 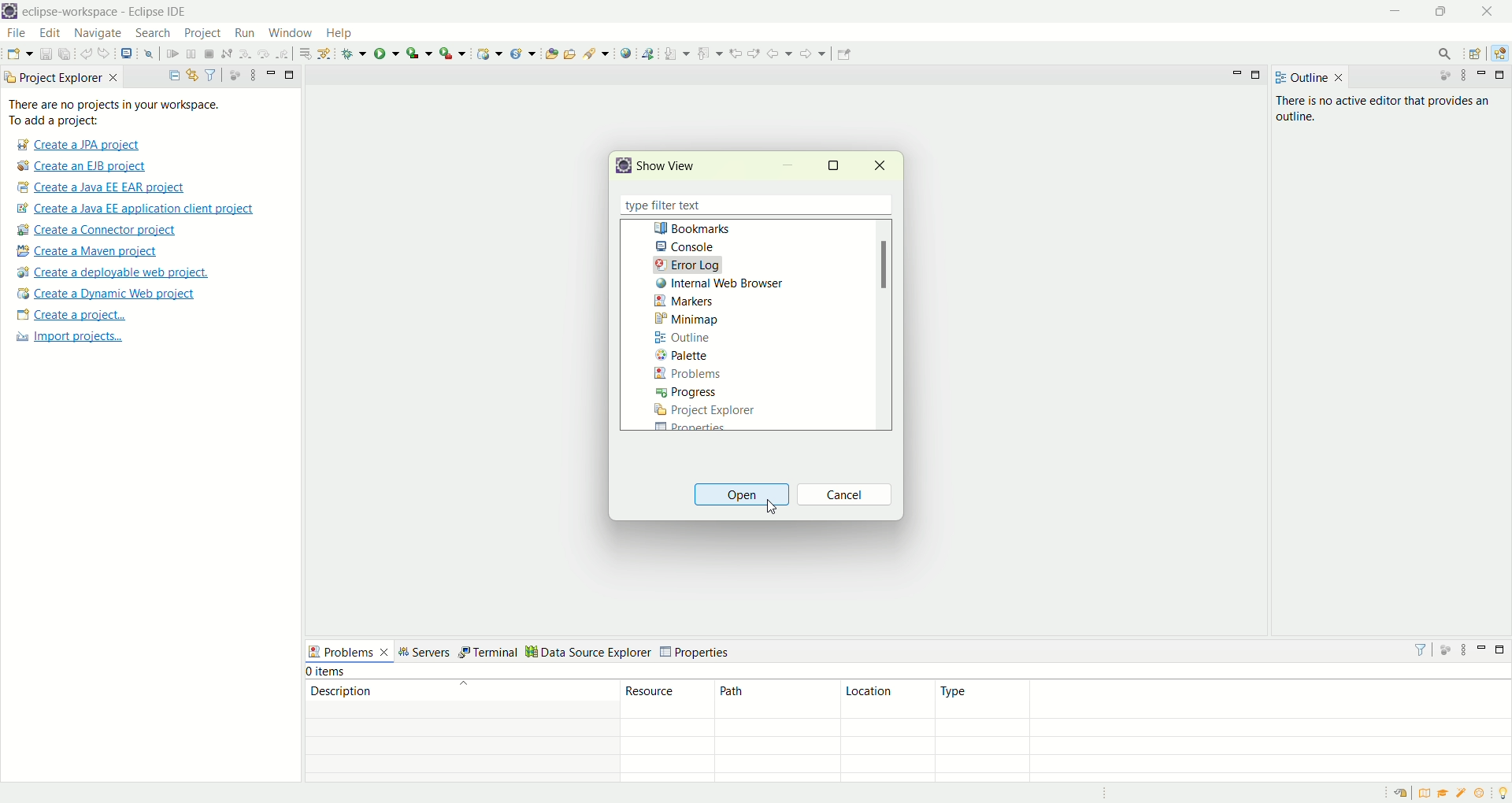 I want to click on create a Java EE application client project, so click(x=135, y=209).